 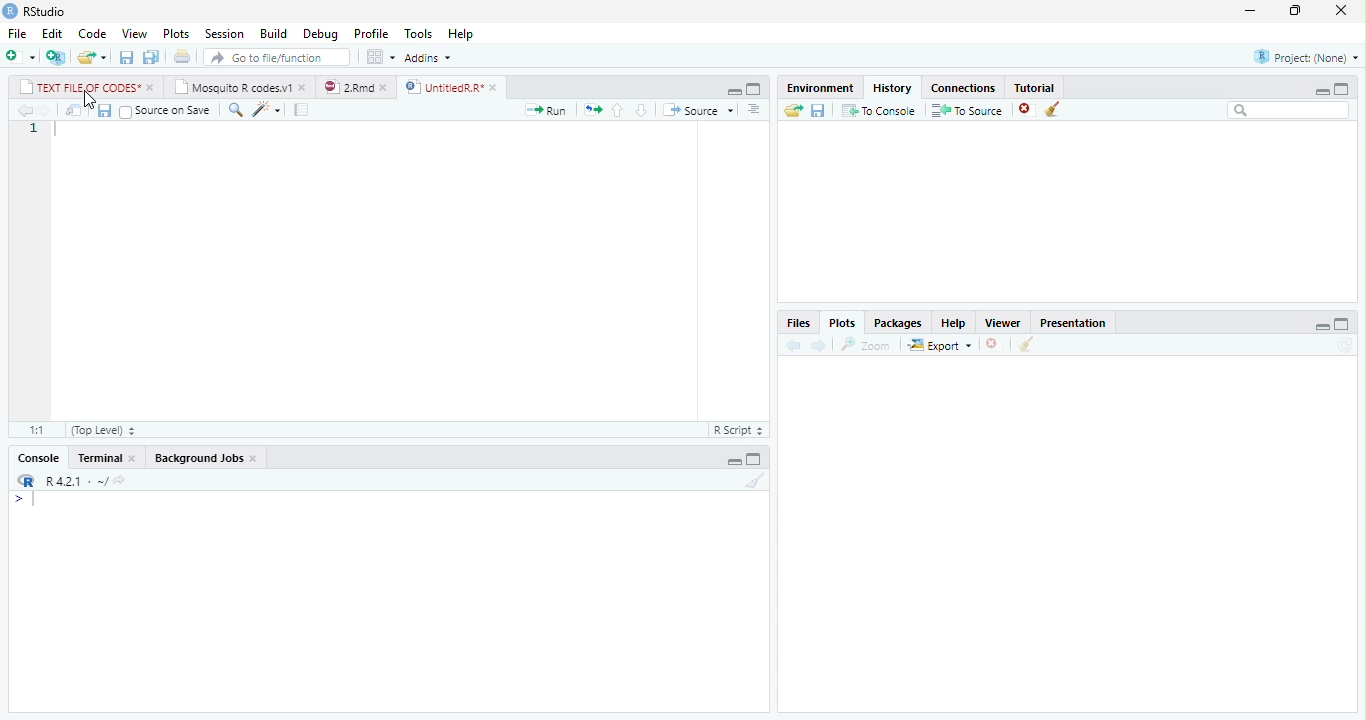 I want to click on save all, so click(x=151, y=58).